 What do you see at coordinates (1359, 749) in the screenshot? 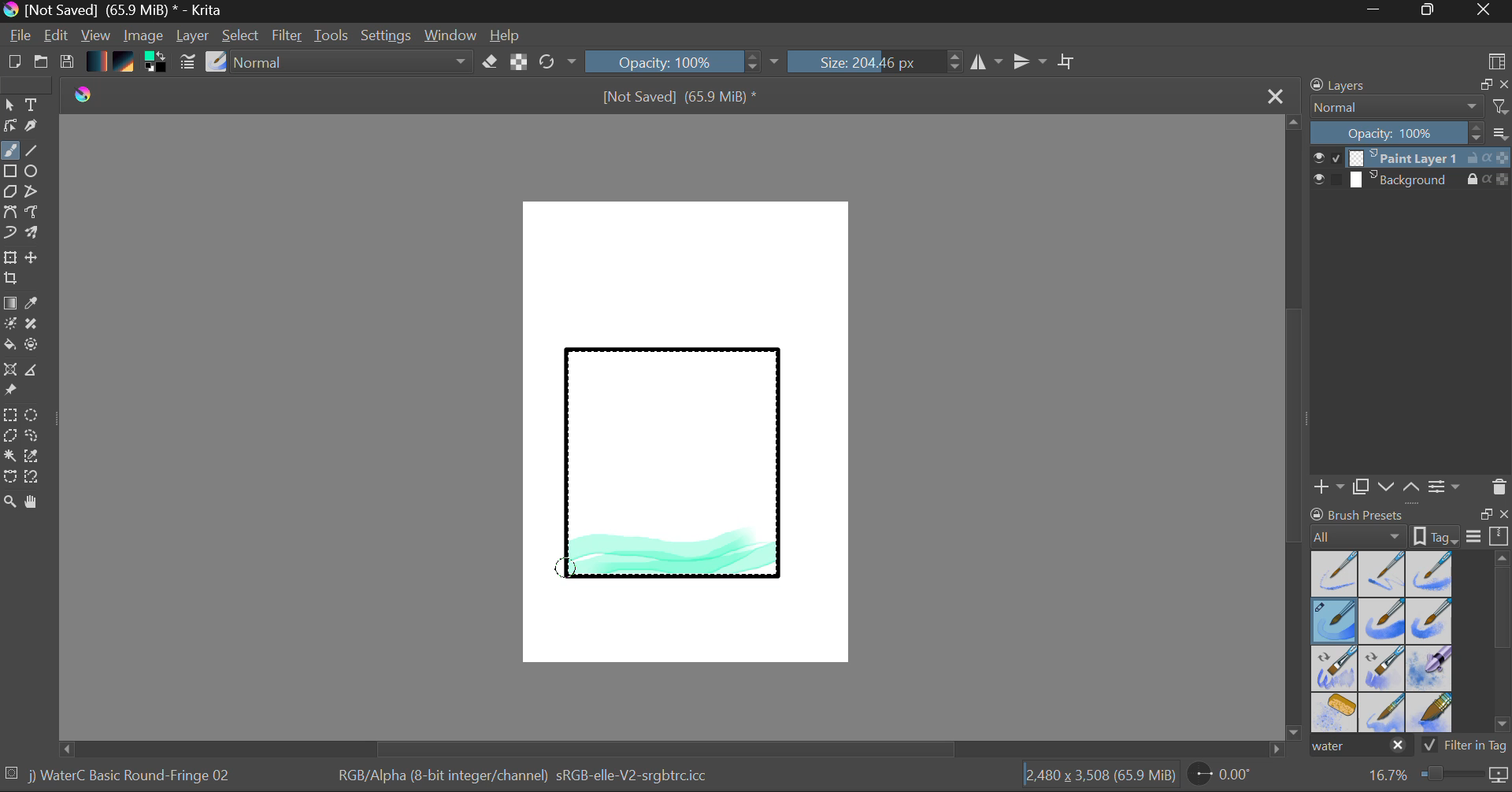
I see `"water" search in brush presets` at bounding box center [1359, 749].